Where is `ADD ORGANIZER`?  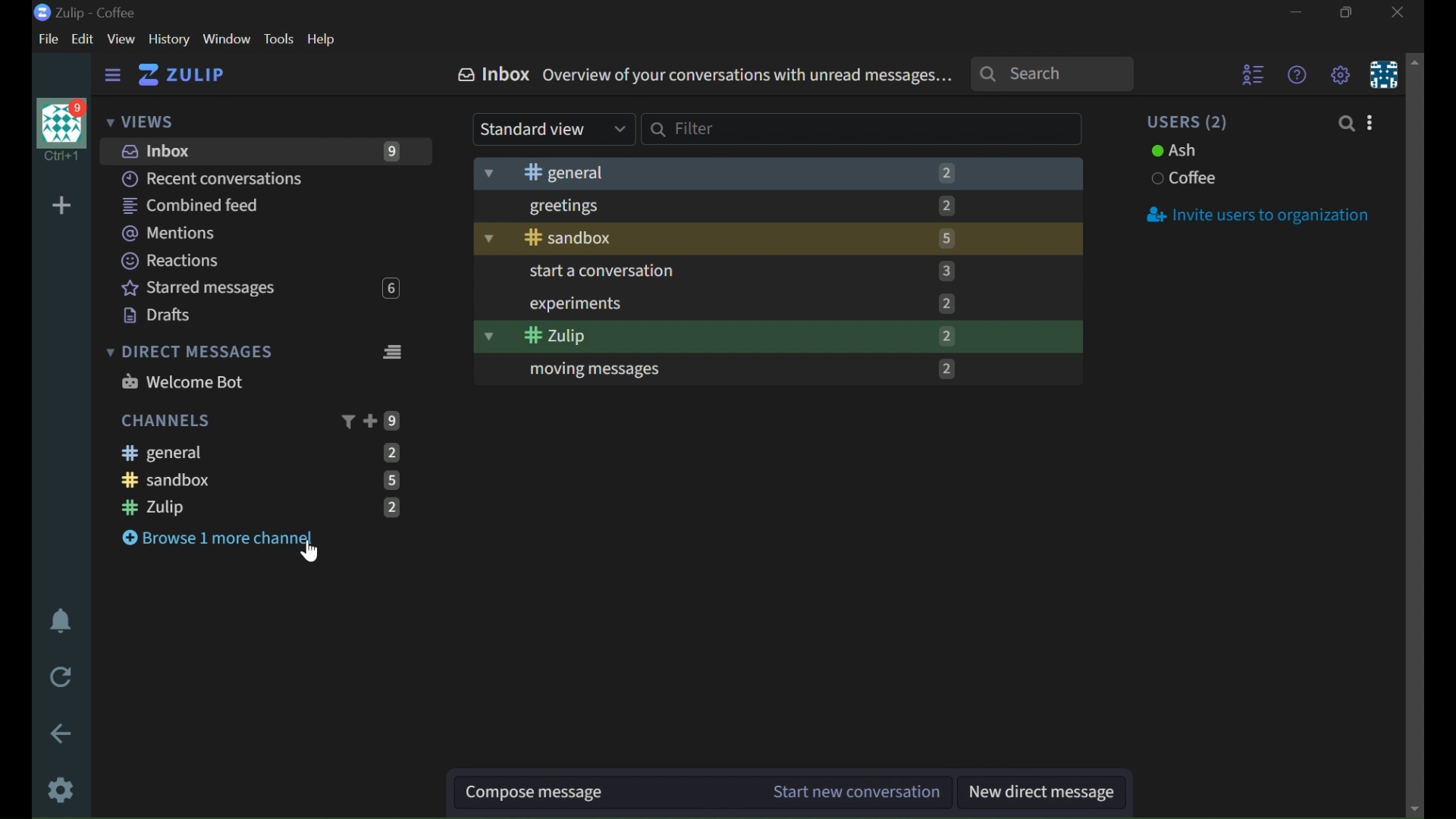 ADD ORGANIZER is located at coordinates (61, 206).